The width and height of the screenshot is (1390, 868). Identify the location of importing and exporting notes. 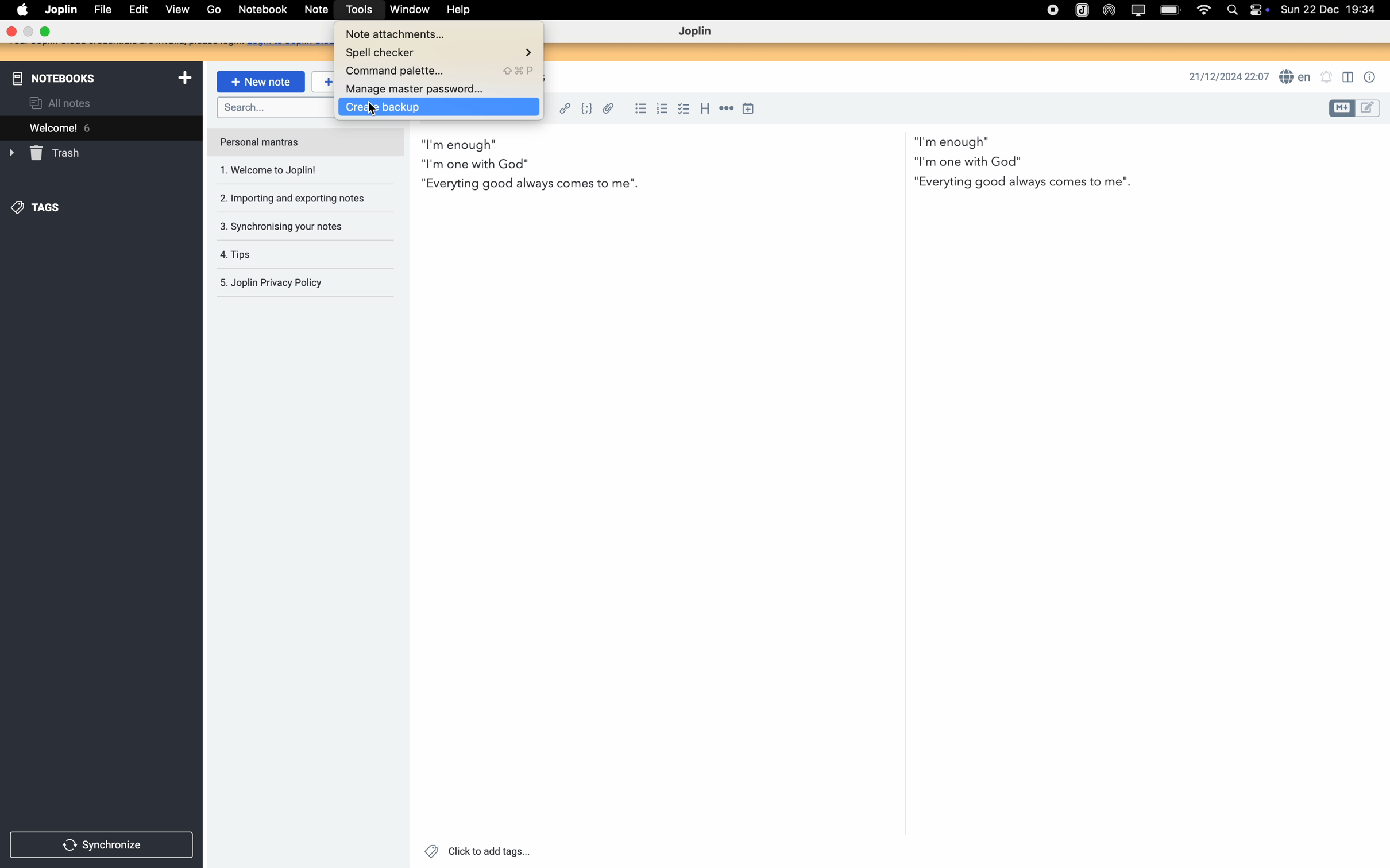
(289, 200).